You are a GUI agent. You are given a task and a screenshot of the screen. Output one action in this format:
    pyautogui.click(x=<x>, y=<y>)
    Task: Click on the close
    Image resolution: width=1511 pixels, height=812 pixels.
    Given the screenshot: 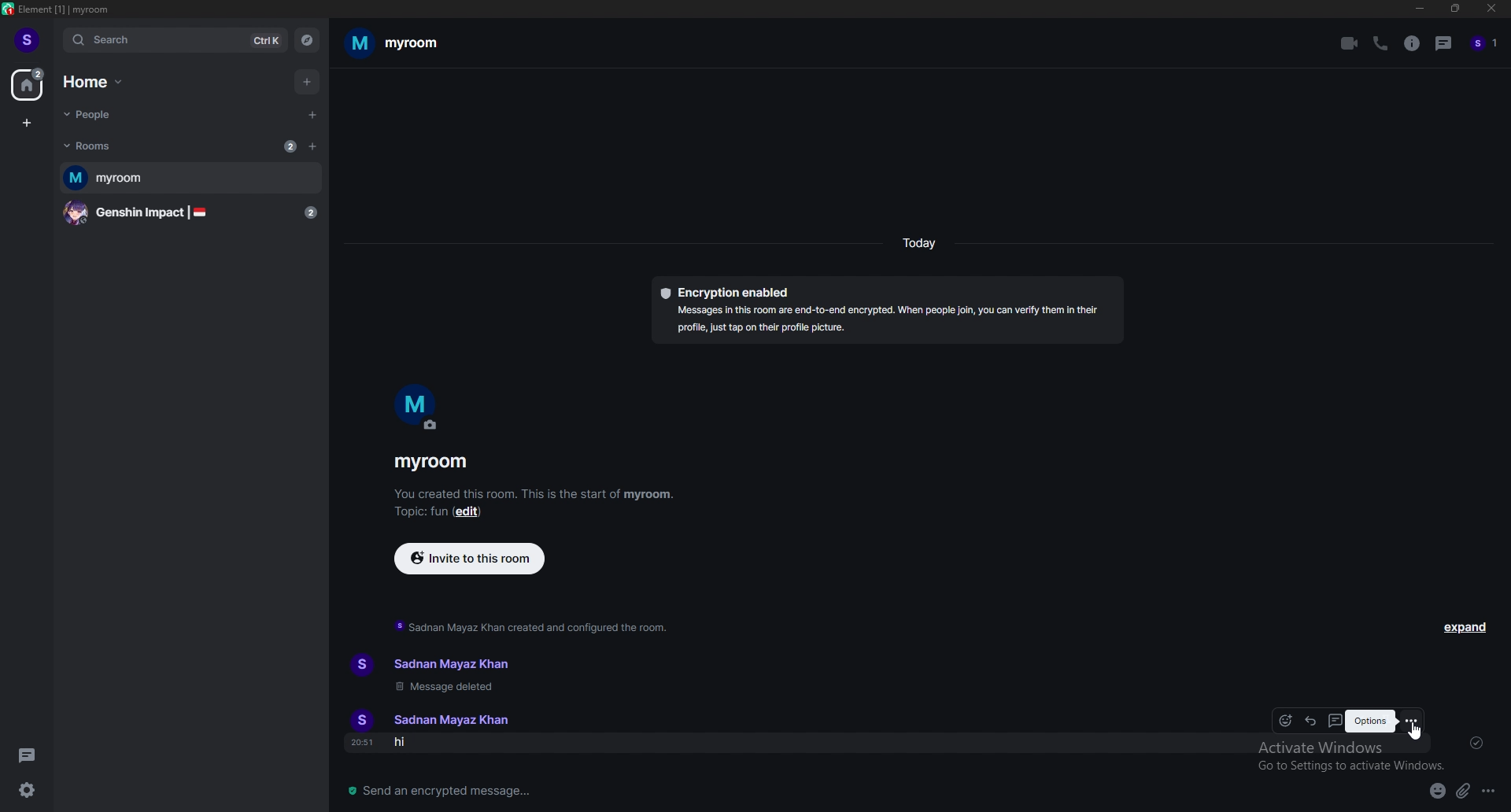 What is the action you would take?
    pyautogui.click(x=1488, y=9)
    